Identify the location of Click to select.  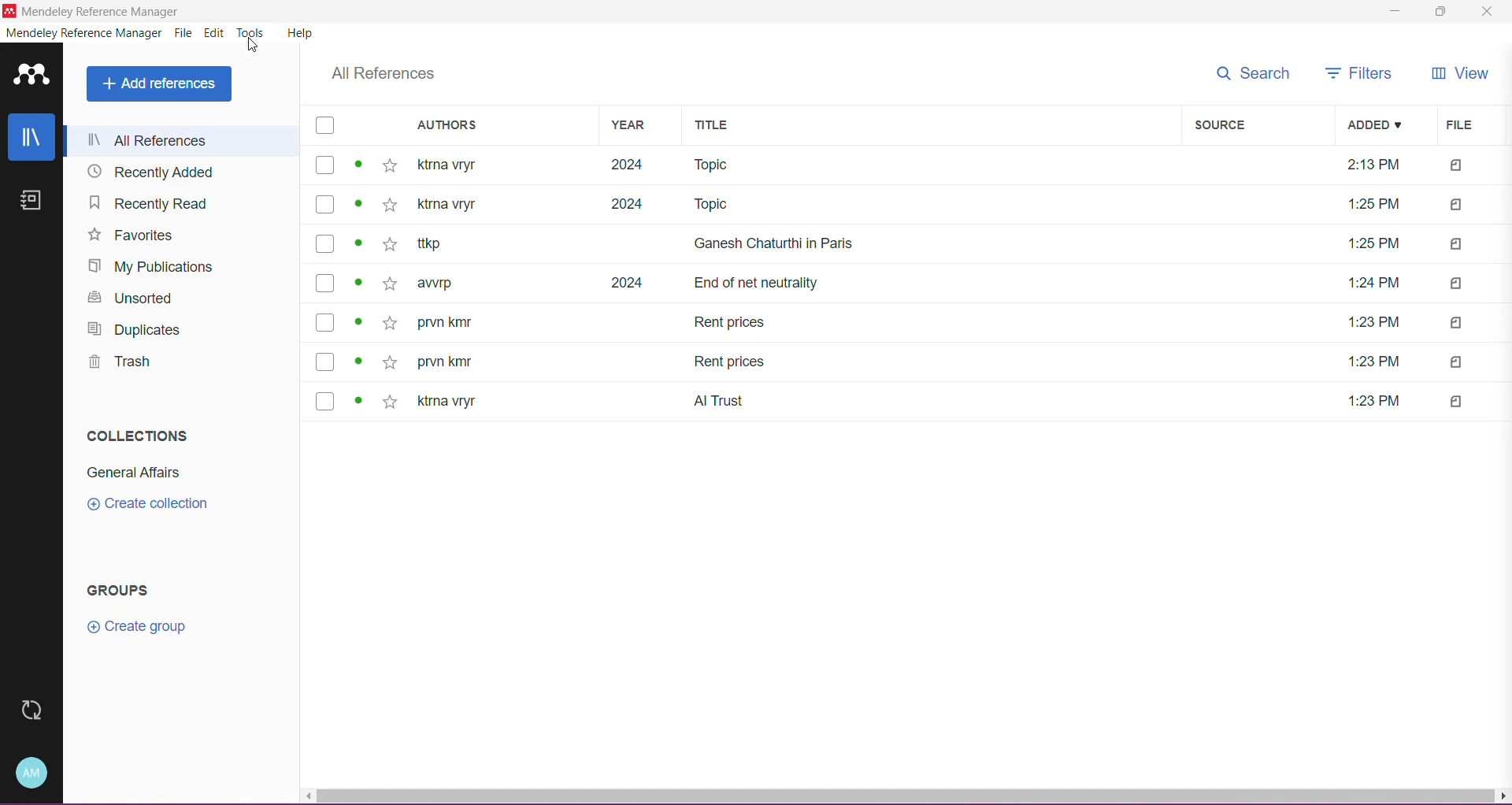
(326, 121).